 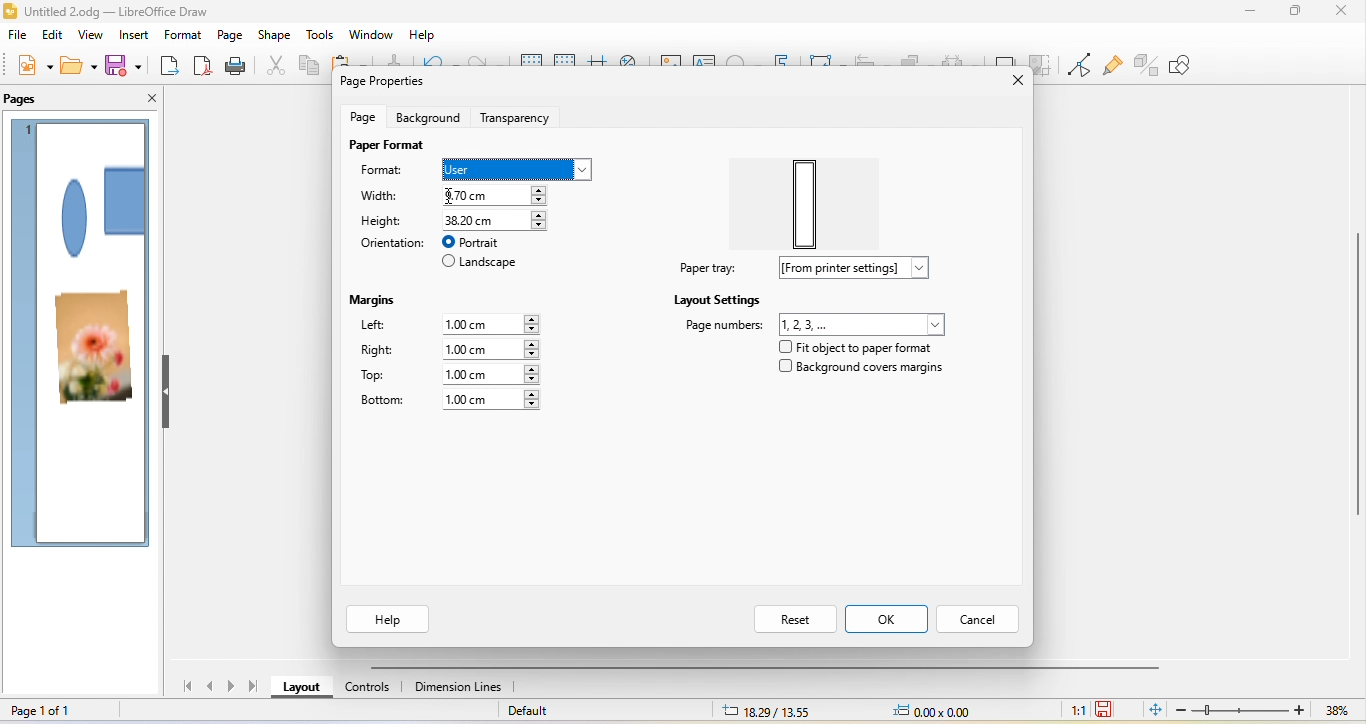 I want to click on clone formatting, so click(x=400, y=60).